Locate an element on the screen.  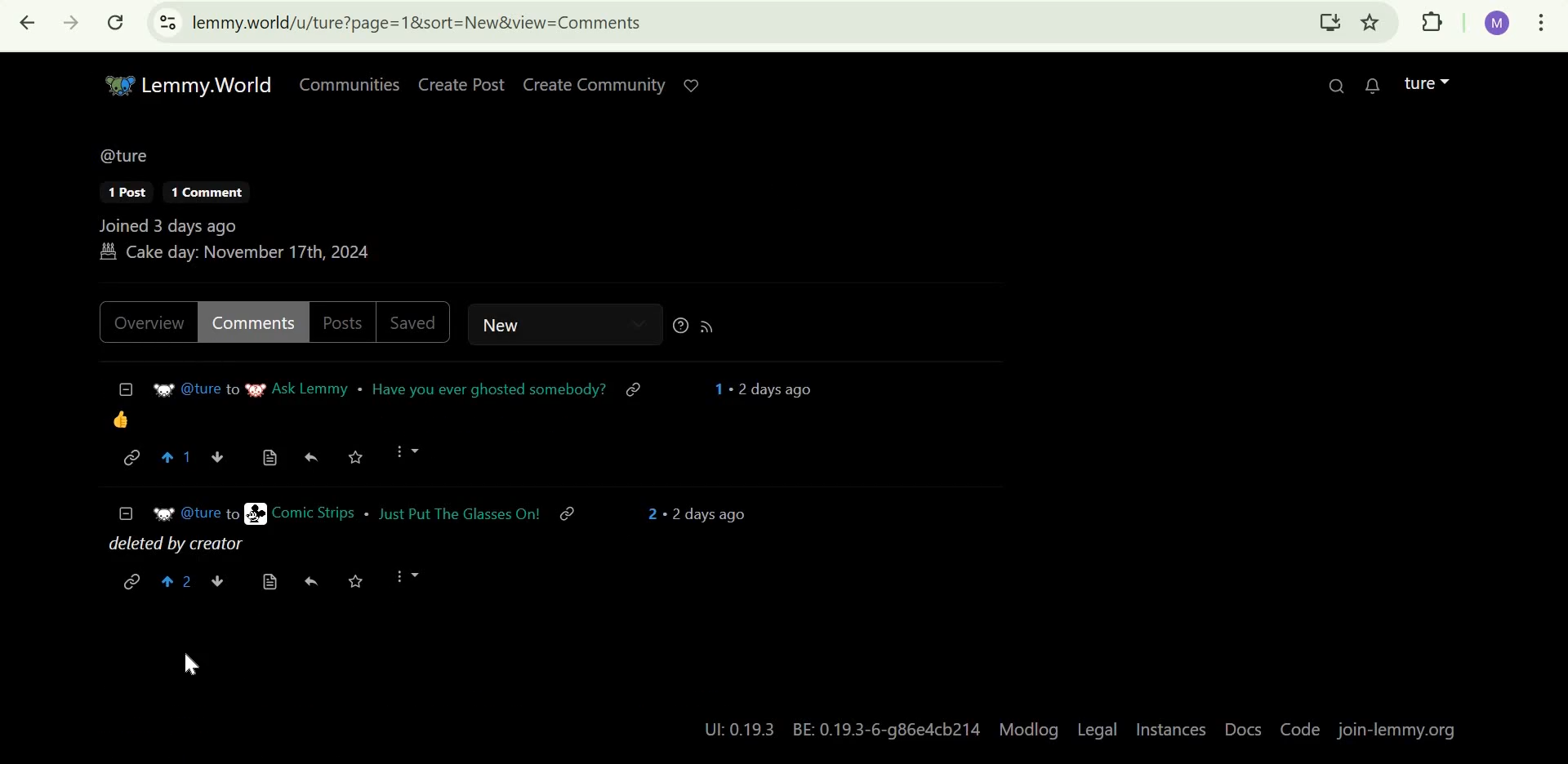
user id is located at coordinates (195, 513).